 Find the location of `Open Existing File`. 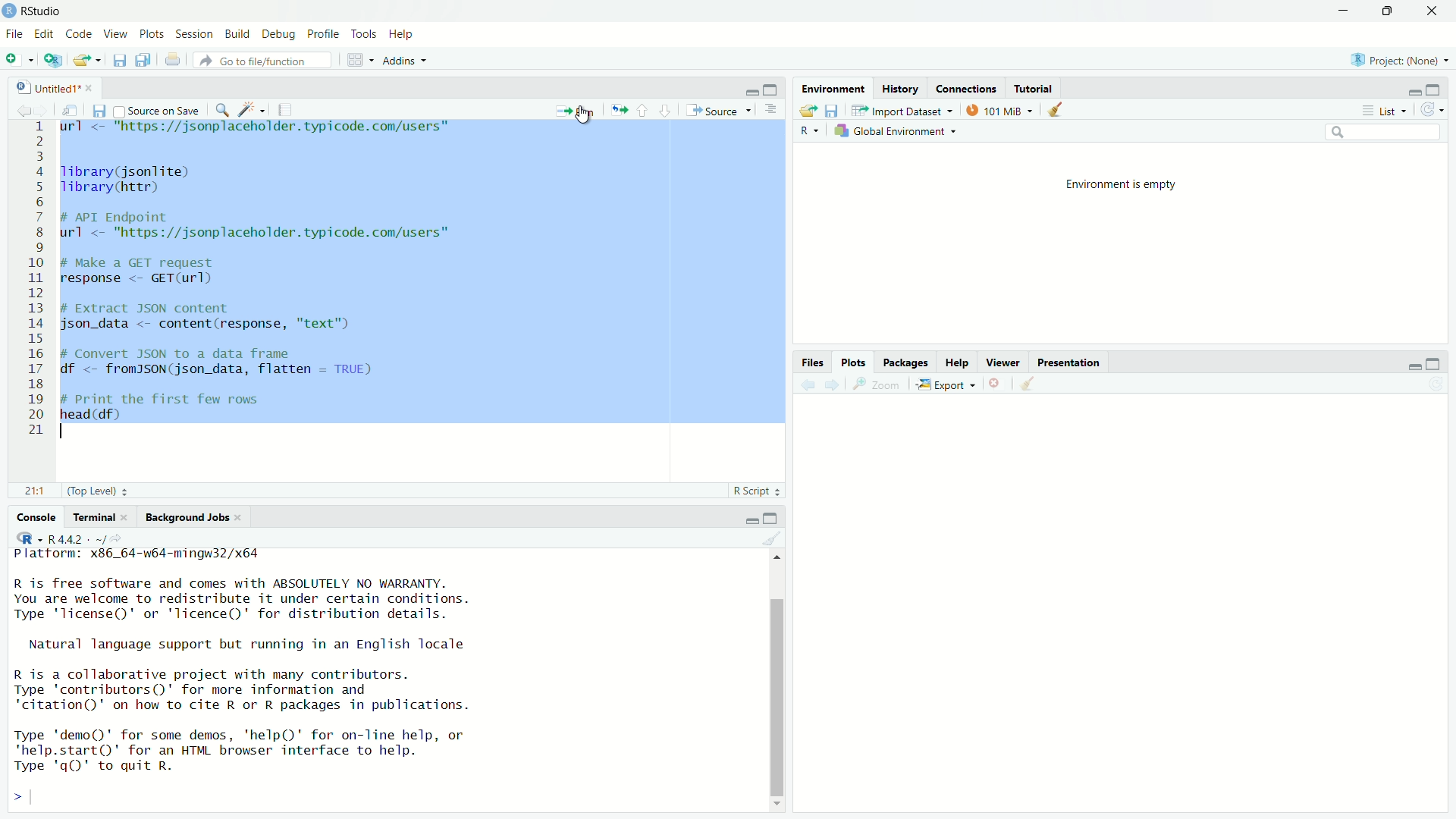

Open Existing File is located at coordinates (87, 60).